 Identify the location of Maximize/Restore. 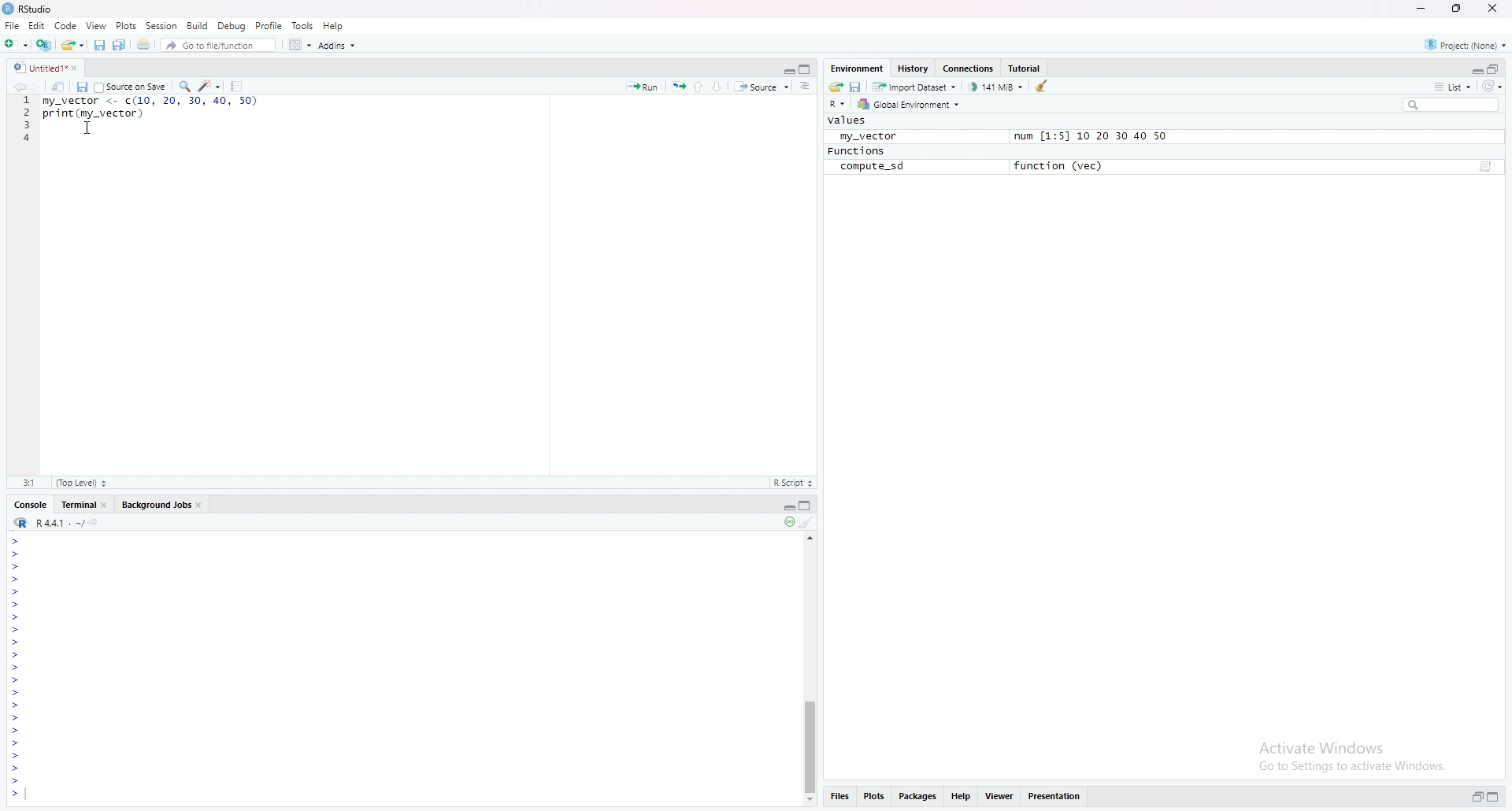
(1495, 69).